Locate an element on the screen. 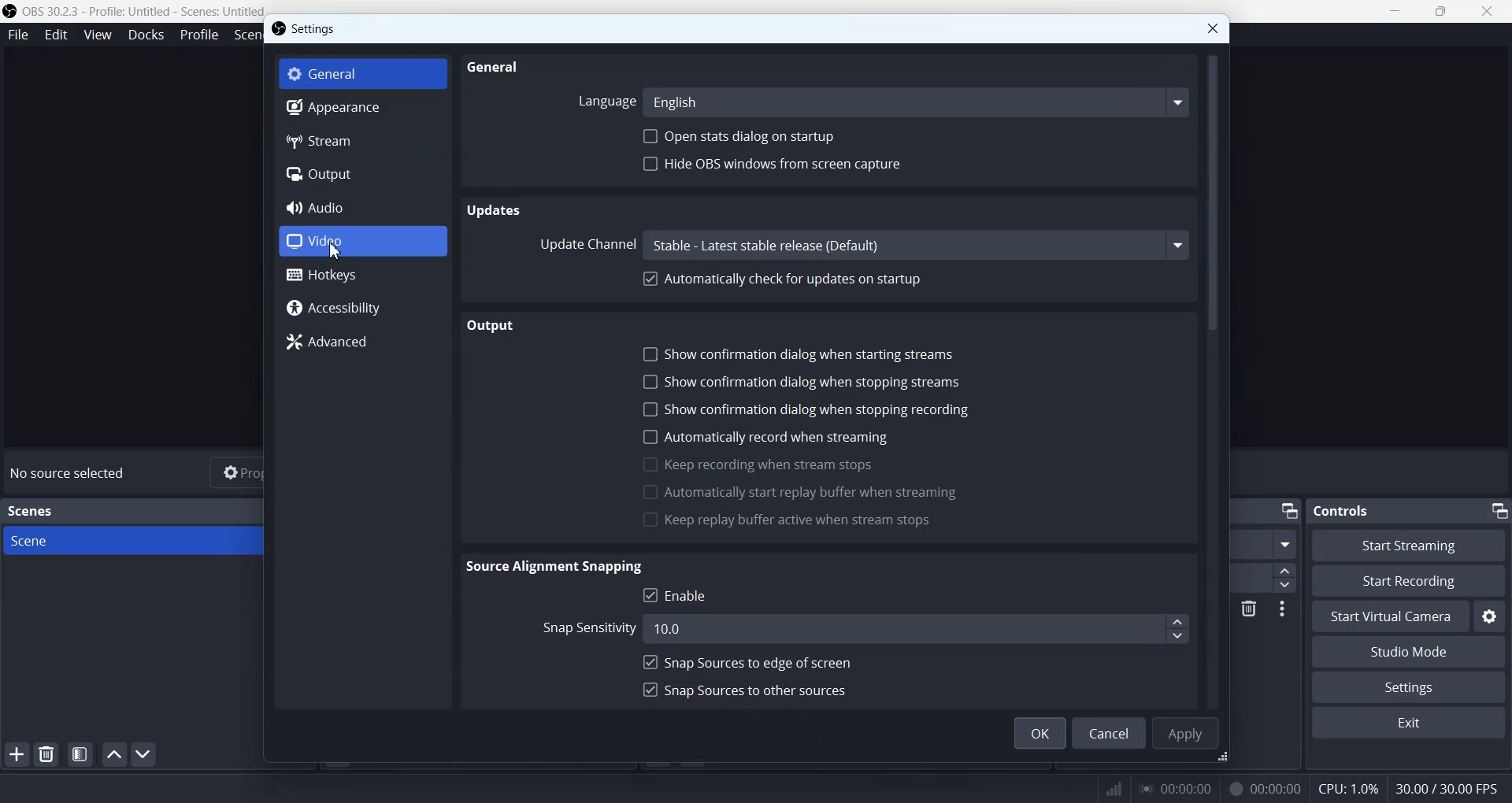 The height and width of the screenshot is (803, 1512). Show Confirmation dialog when stopping streams is located at coordinates (798, 381).